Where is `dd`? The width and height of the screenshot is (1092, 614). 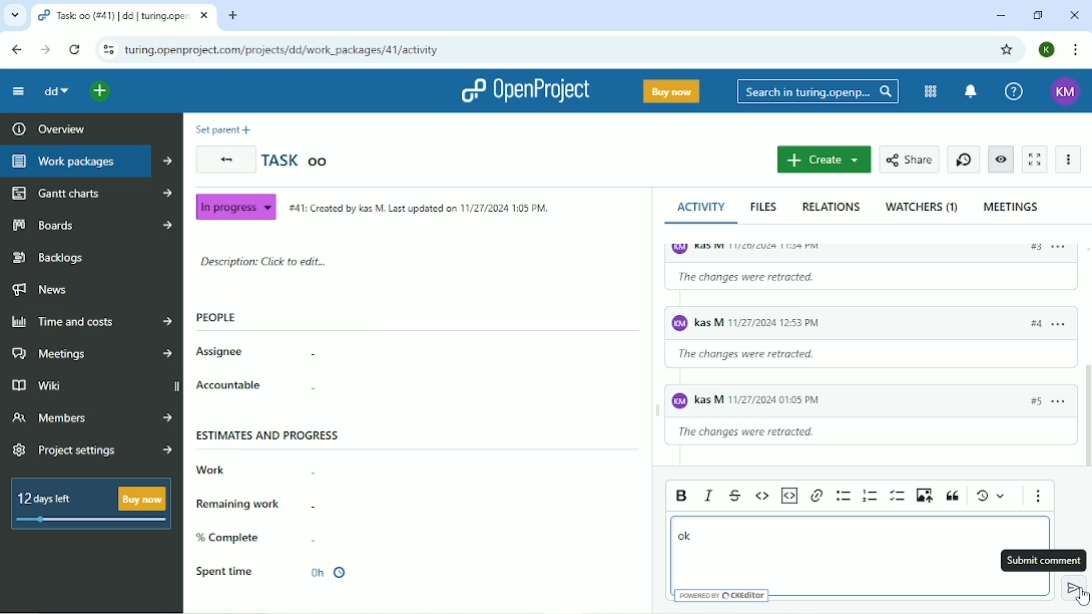 dd is located at coordinates (57, 93).